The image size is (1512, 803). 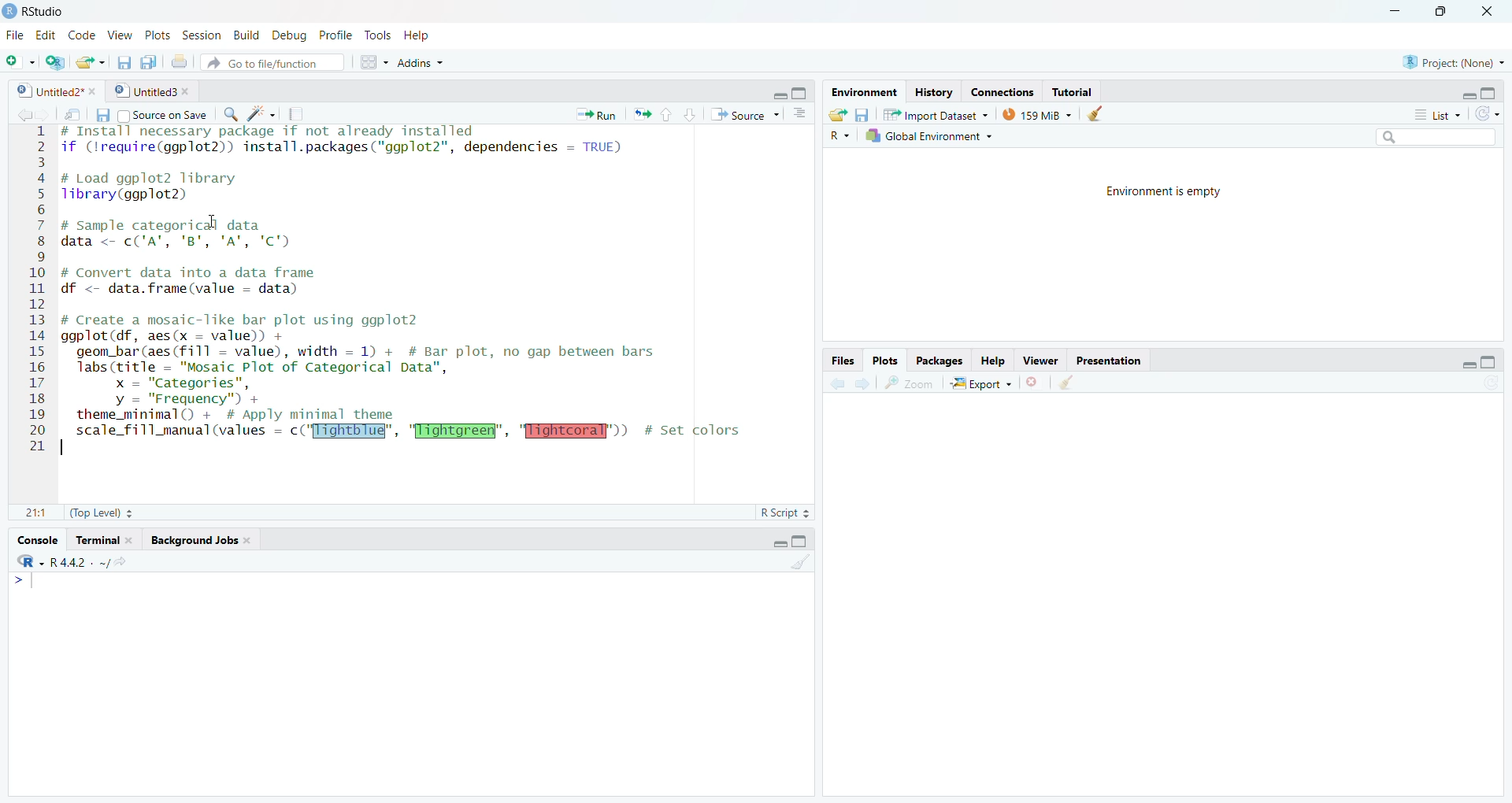 What do you see at coordinates (154, 187) in the screenshot?
I see `# Load ggplot2 library
Tibrary(ggplot2)` at bounding box center [154, 187].